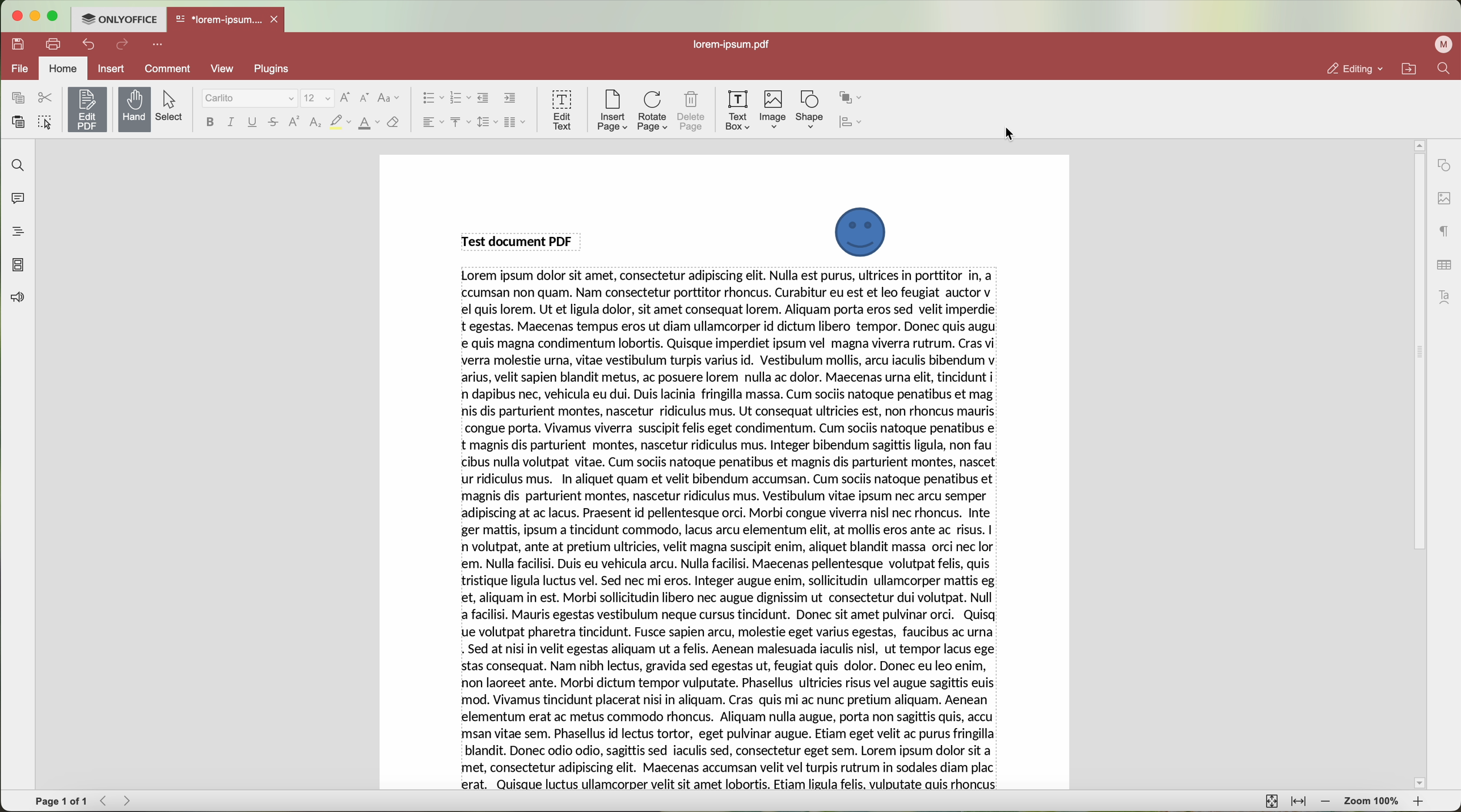 This screenshot has width=1461, height=812. What do you see at coordinates (1011, 136) in the screenshot?
I see `cursor` at bounding box center [1011, 136].